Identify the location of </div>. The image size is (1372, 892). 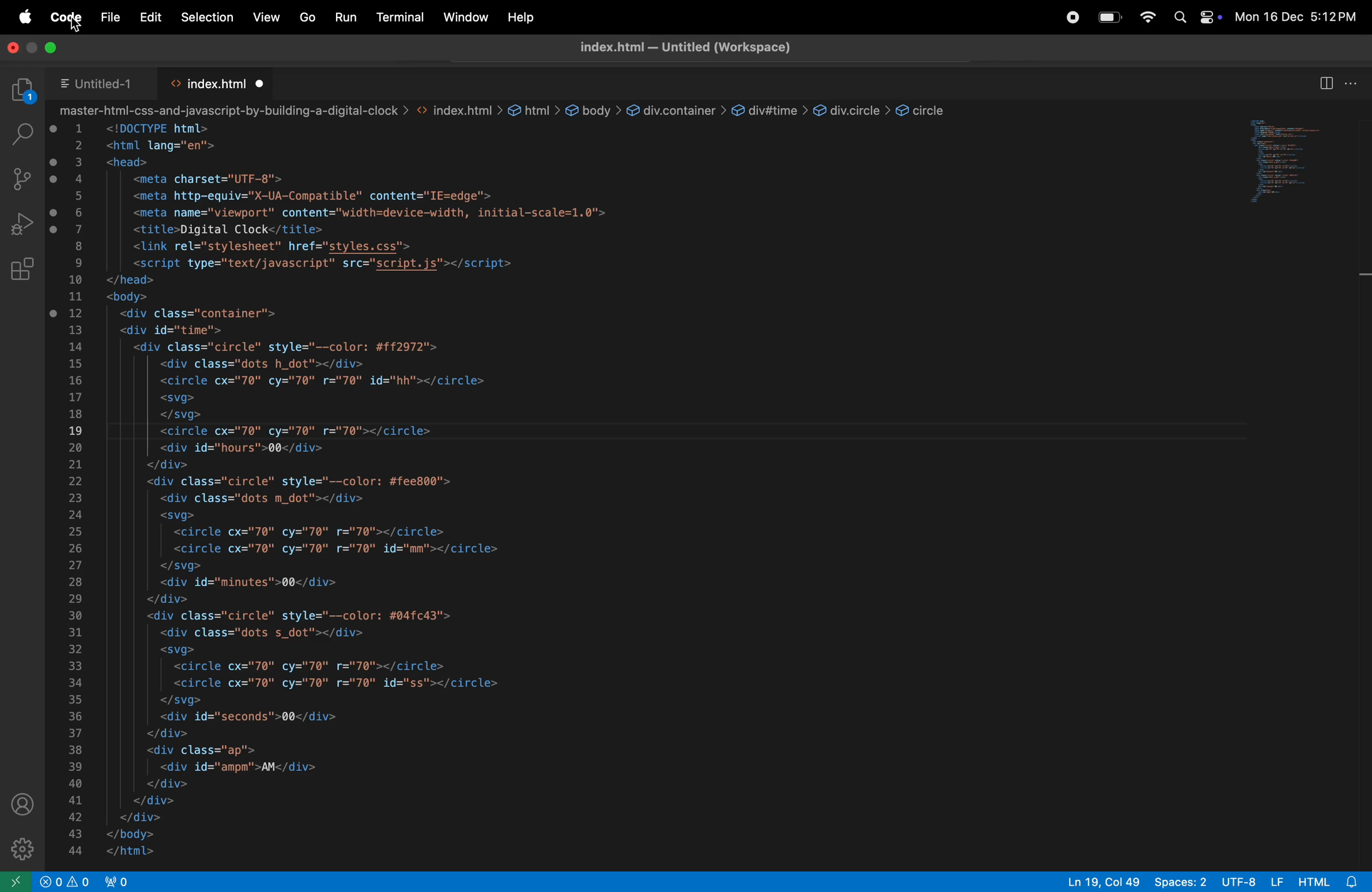
(166, 784).